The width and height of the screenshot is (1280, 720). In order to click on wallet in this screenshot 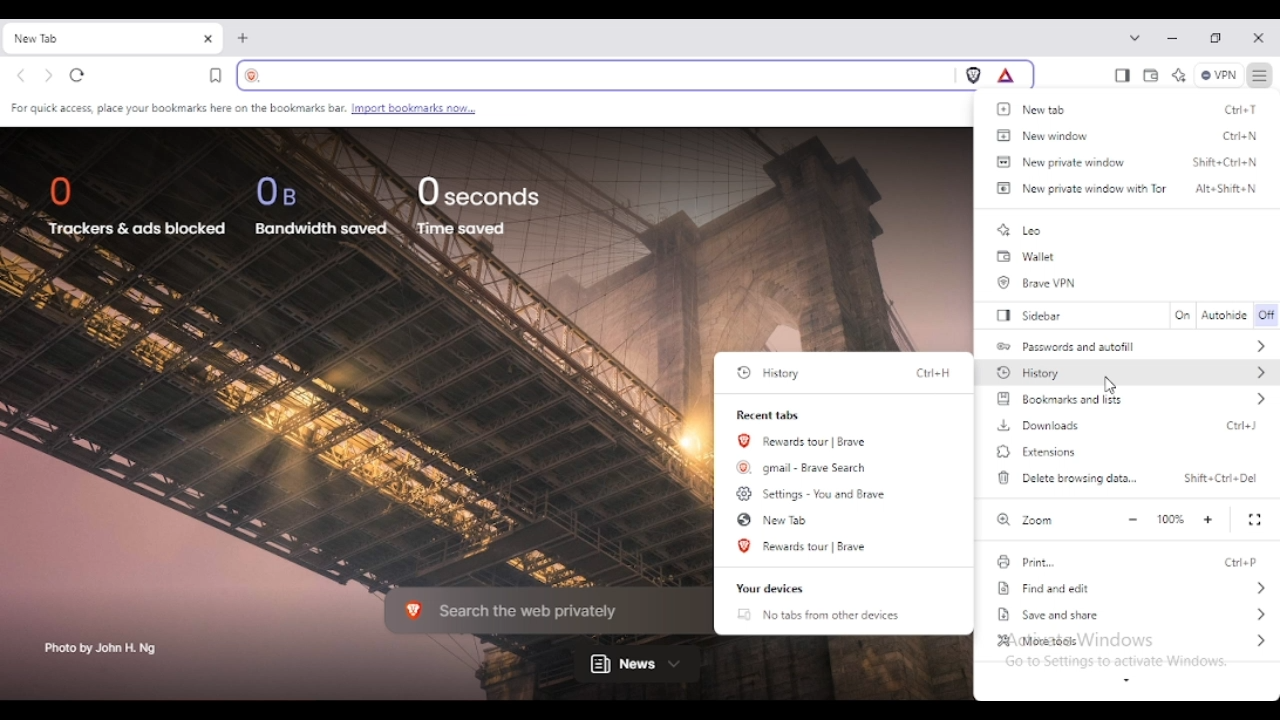, I will do `click(1151, 77)`.